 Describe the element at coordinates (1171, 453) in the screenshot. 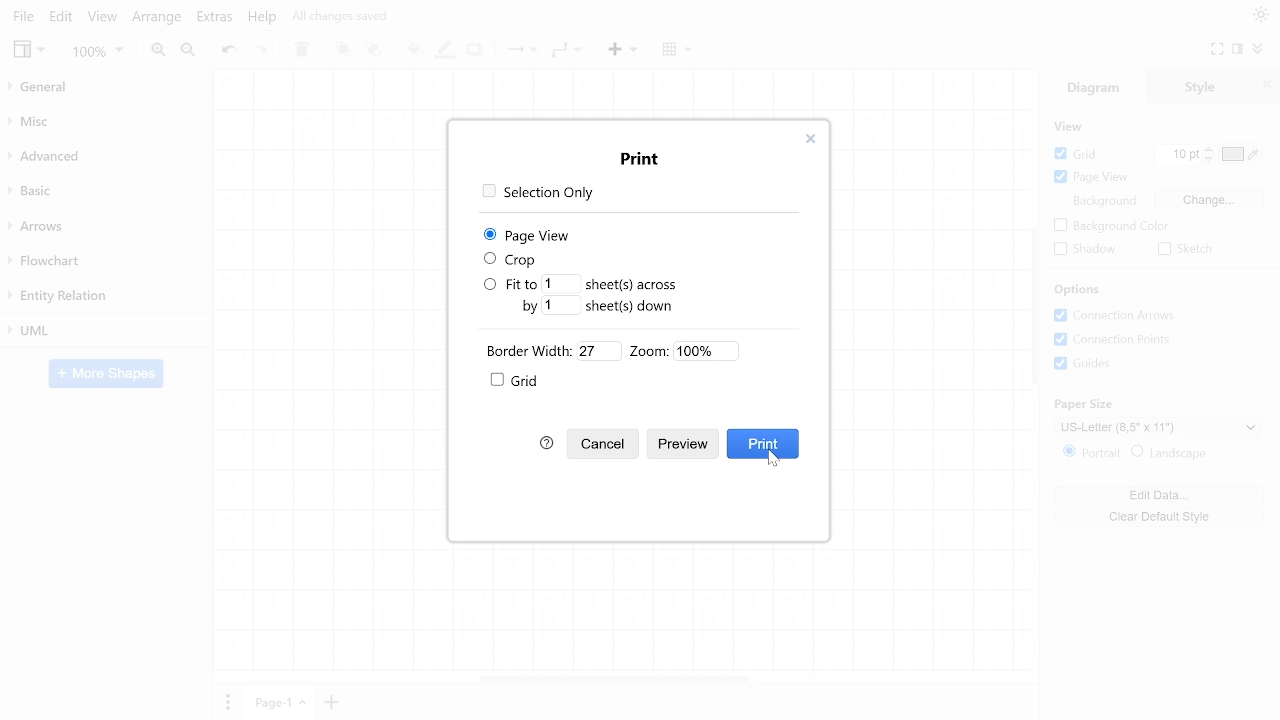

I see `Landscape` at that location.